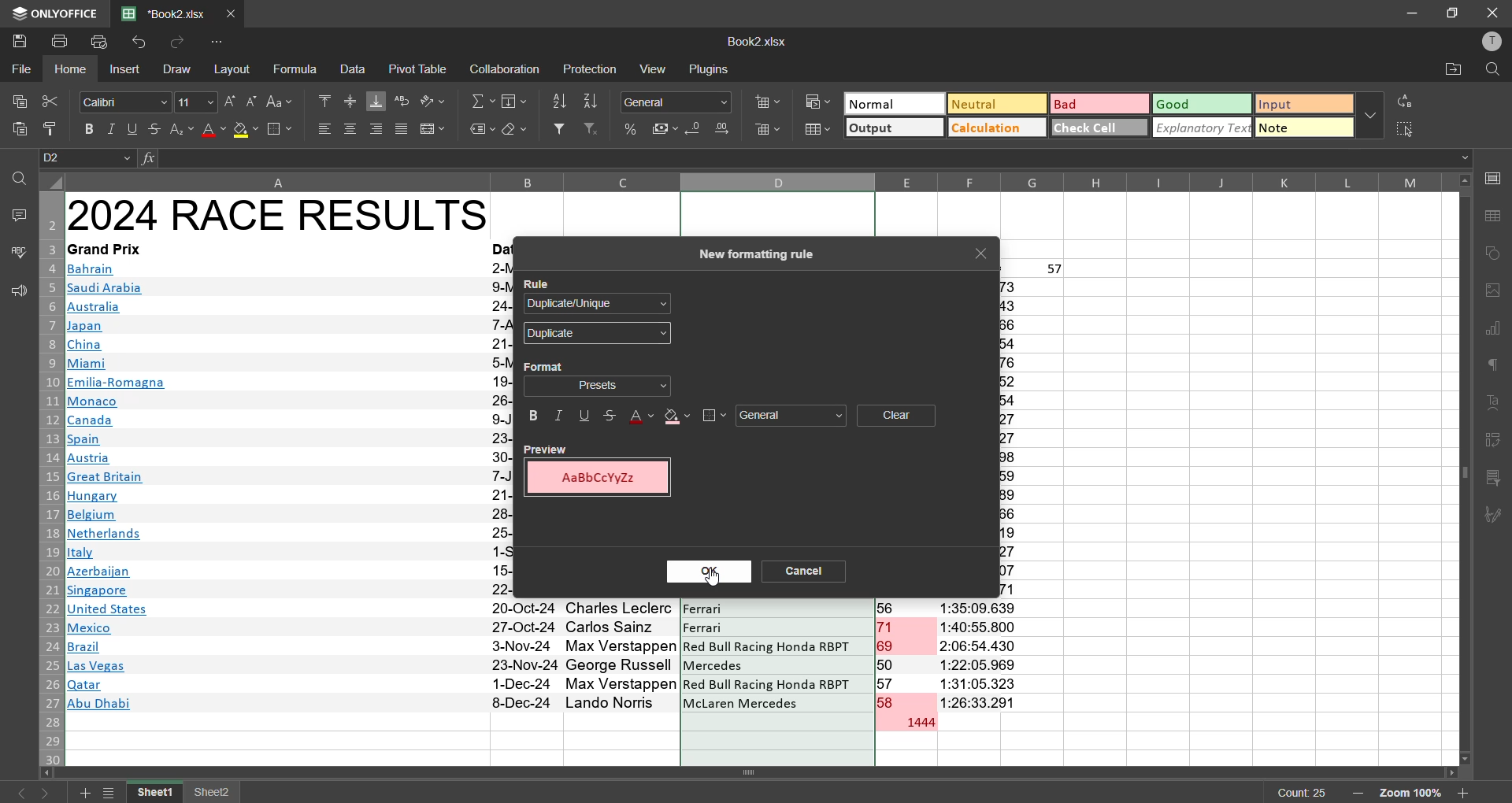 Image resolution: width=1512 pixels, height=803 pixels. I want to click on add new worksheet, so click(82, 793).